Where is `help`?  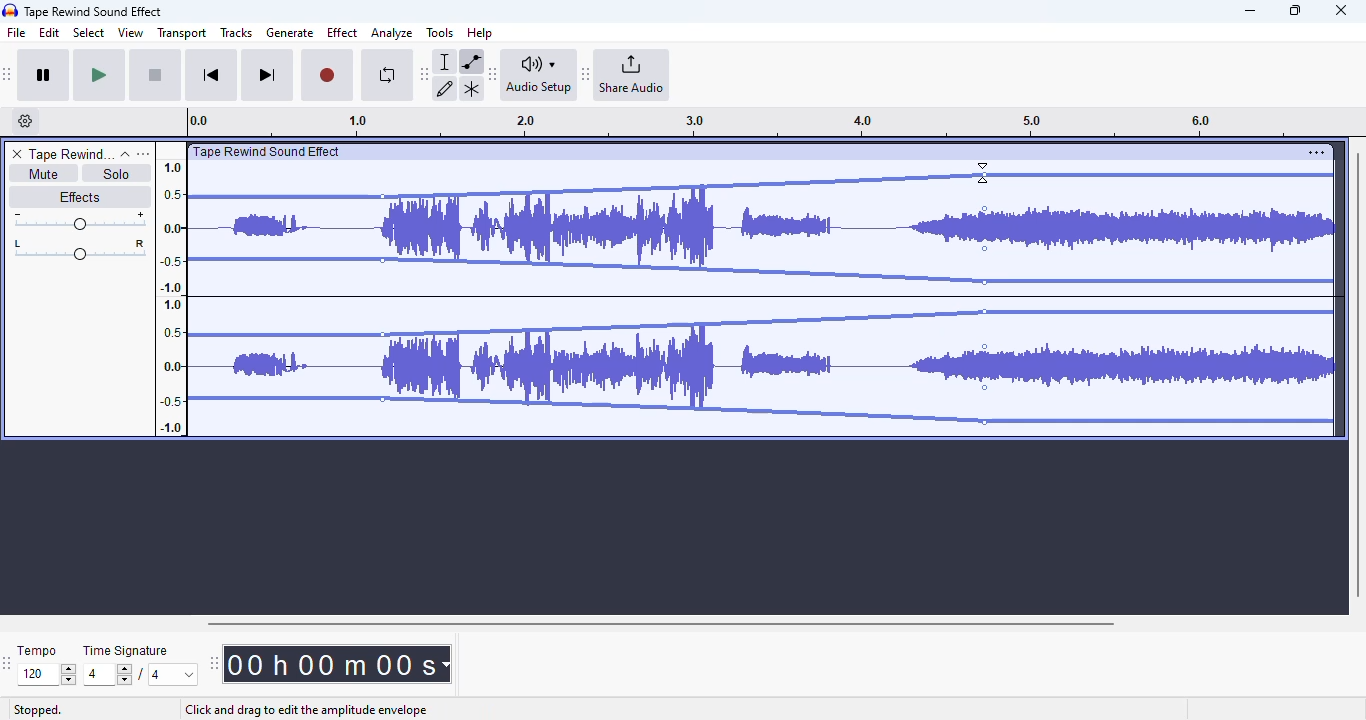
help is located at coordinates (480, 32).